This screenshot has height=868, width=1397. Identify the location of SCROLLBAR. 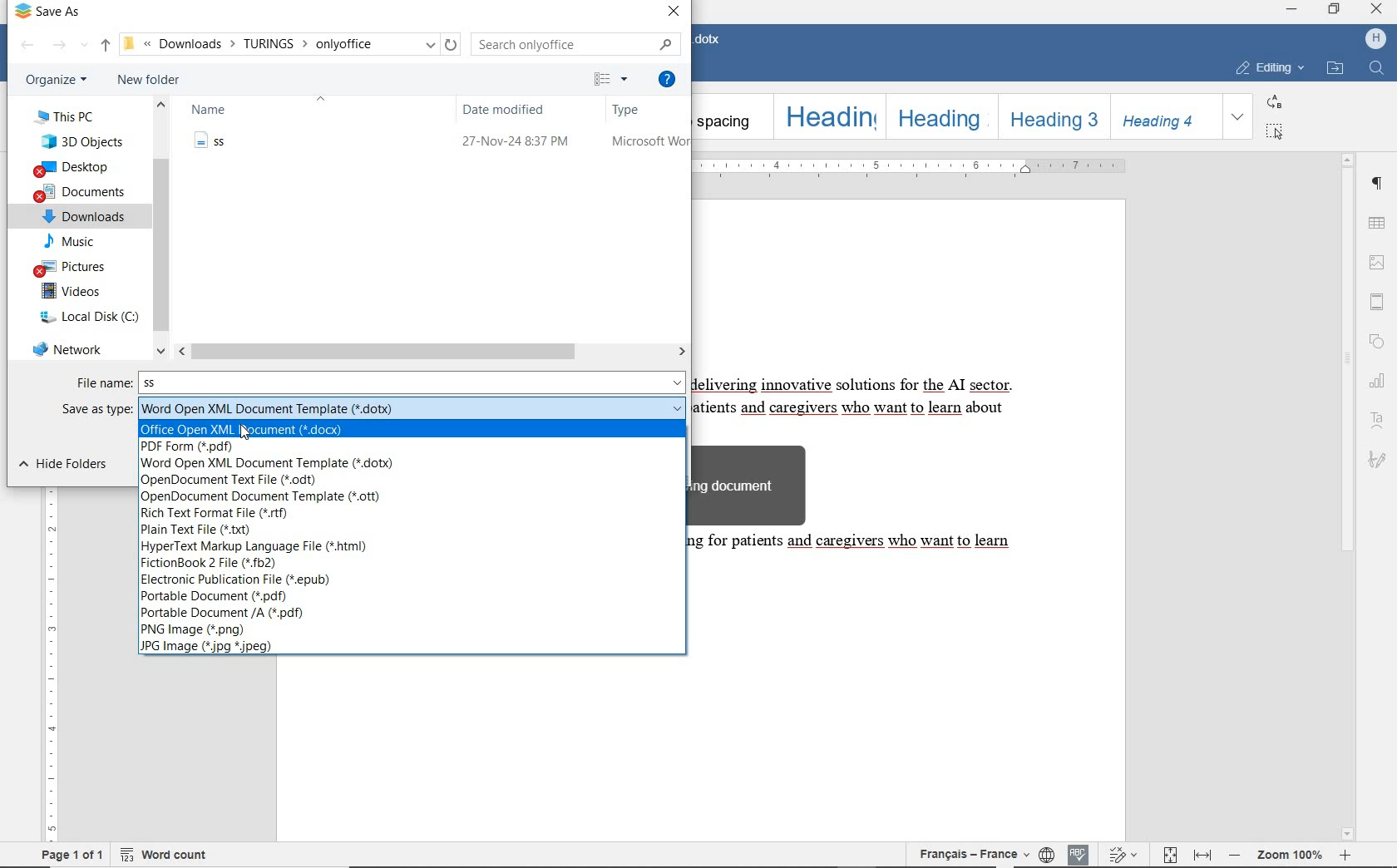
(431, 352).